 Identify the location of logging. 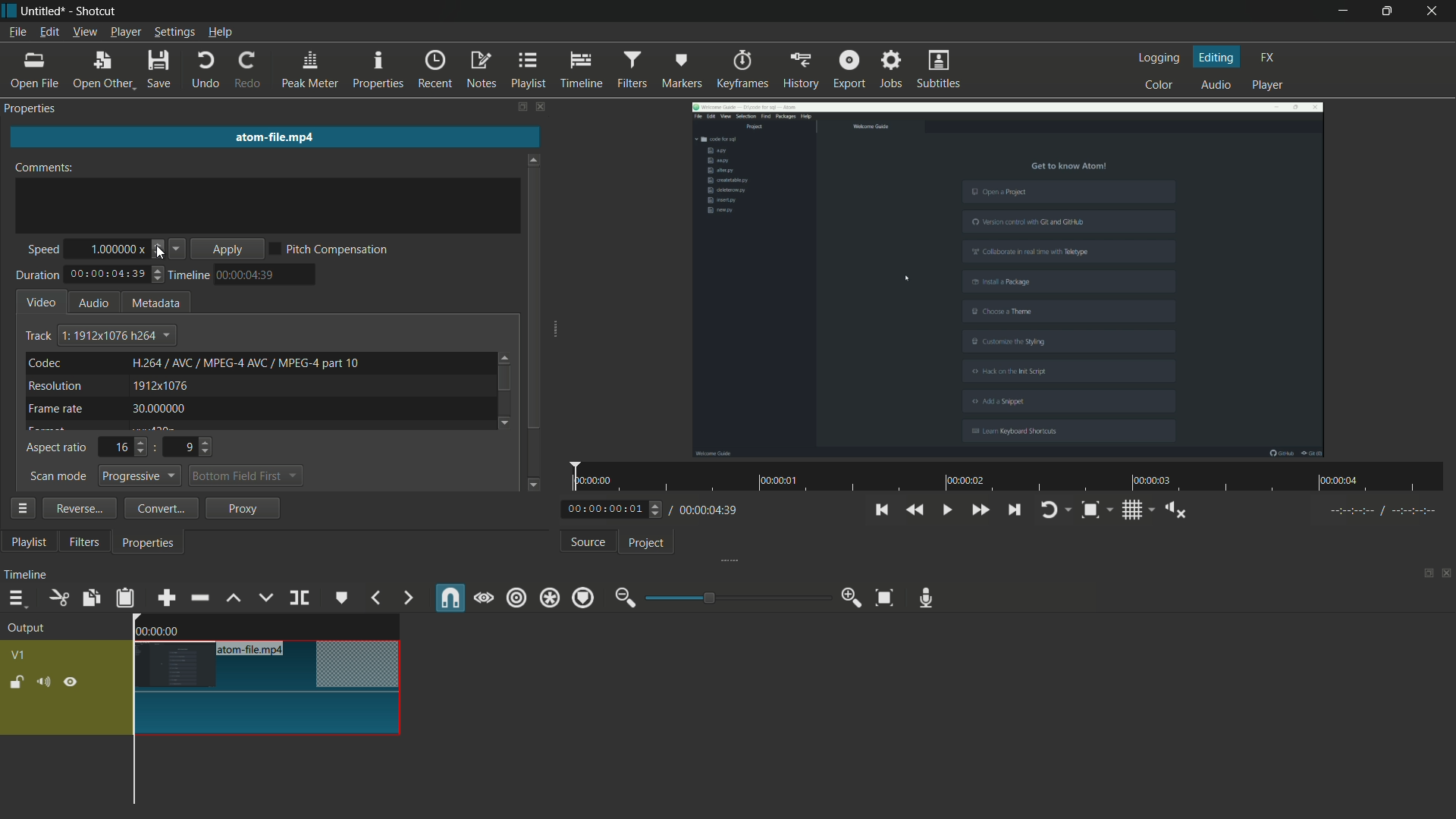
(1161, 58).